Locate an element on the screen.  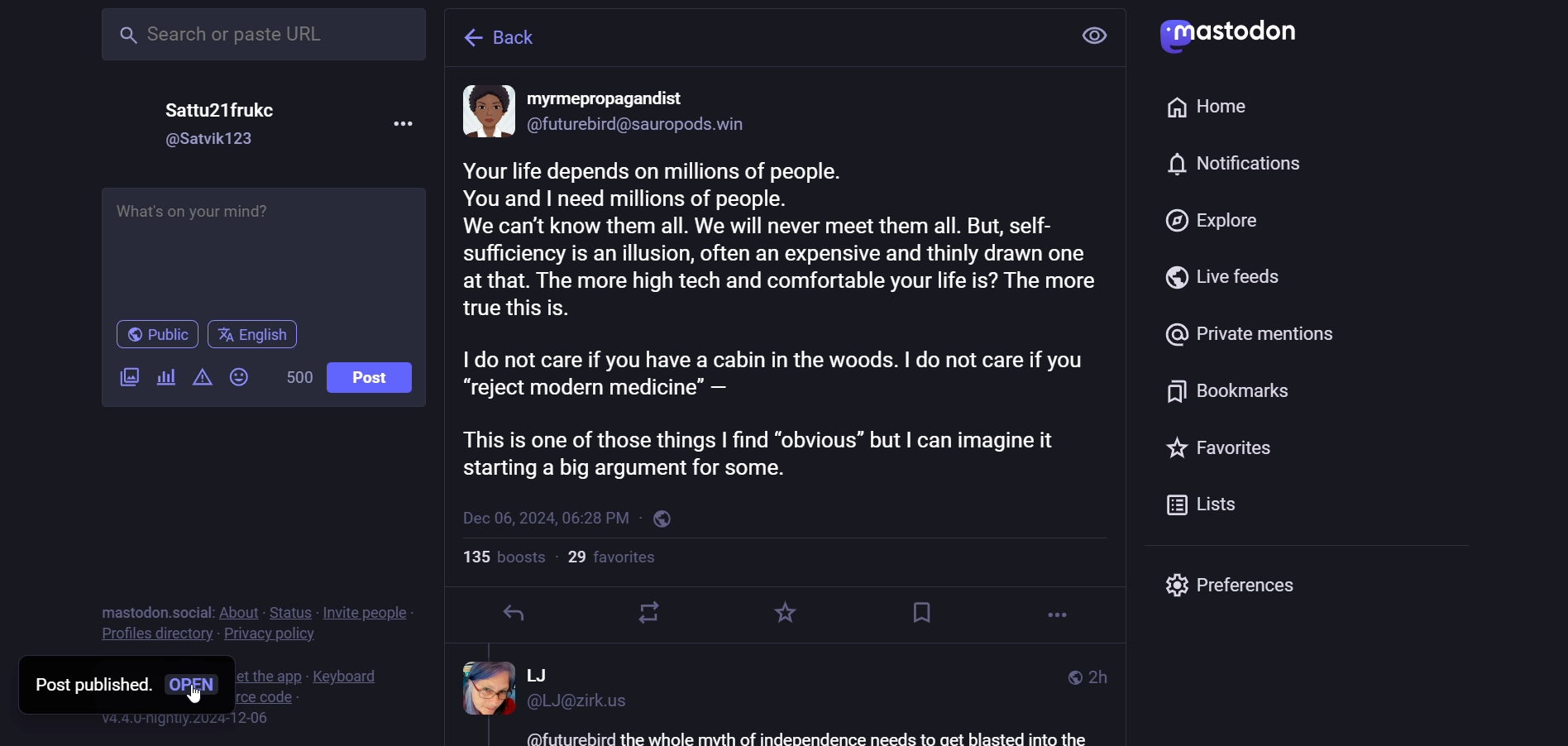
privacy policy is located at coordinates (273, 634).